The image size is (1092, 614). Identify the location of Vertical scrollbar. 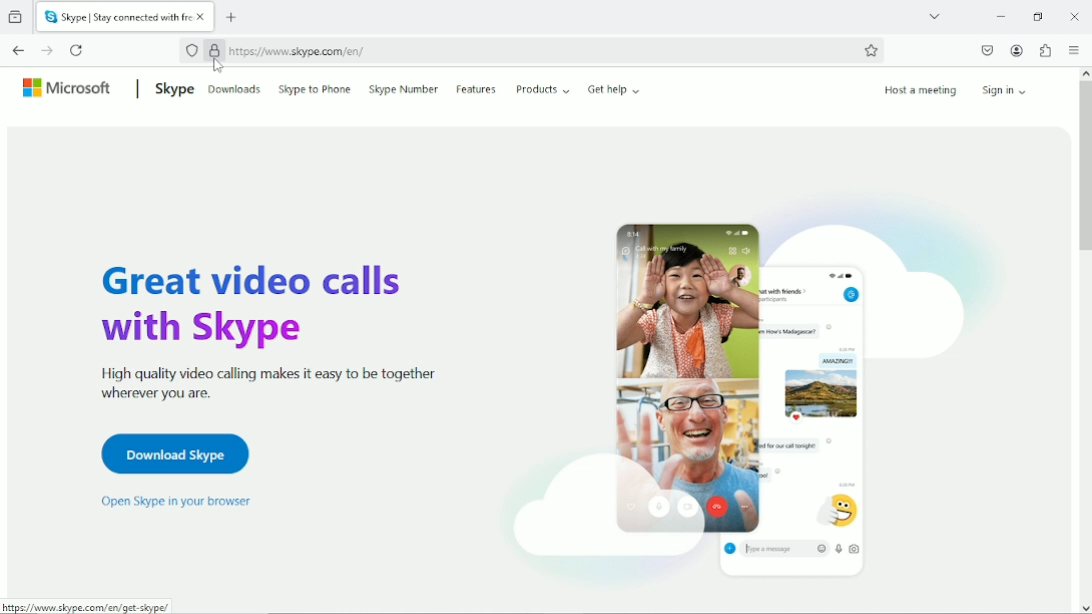
(1084, 169).